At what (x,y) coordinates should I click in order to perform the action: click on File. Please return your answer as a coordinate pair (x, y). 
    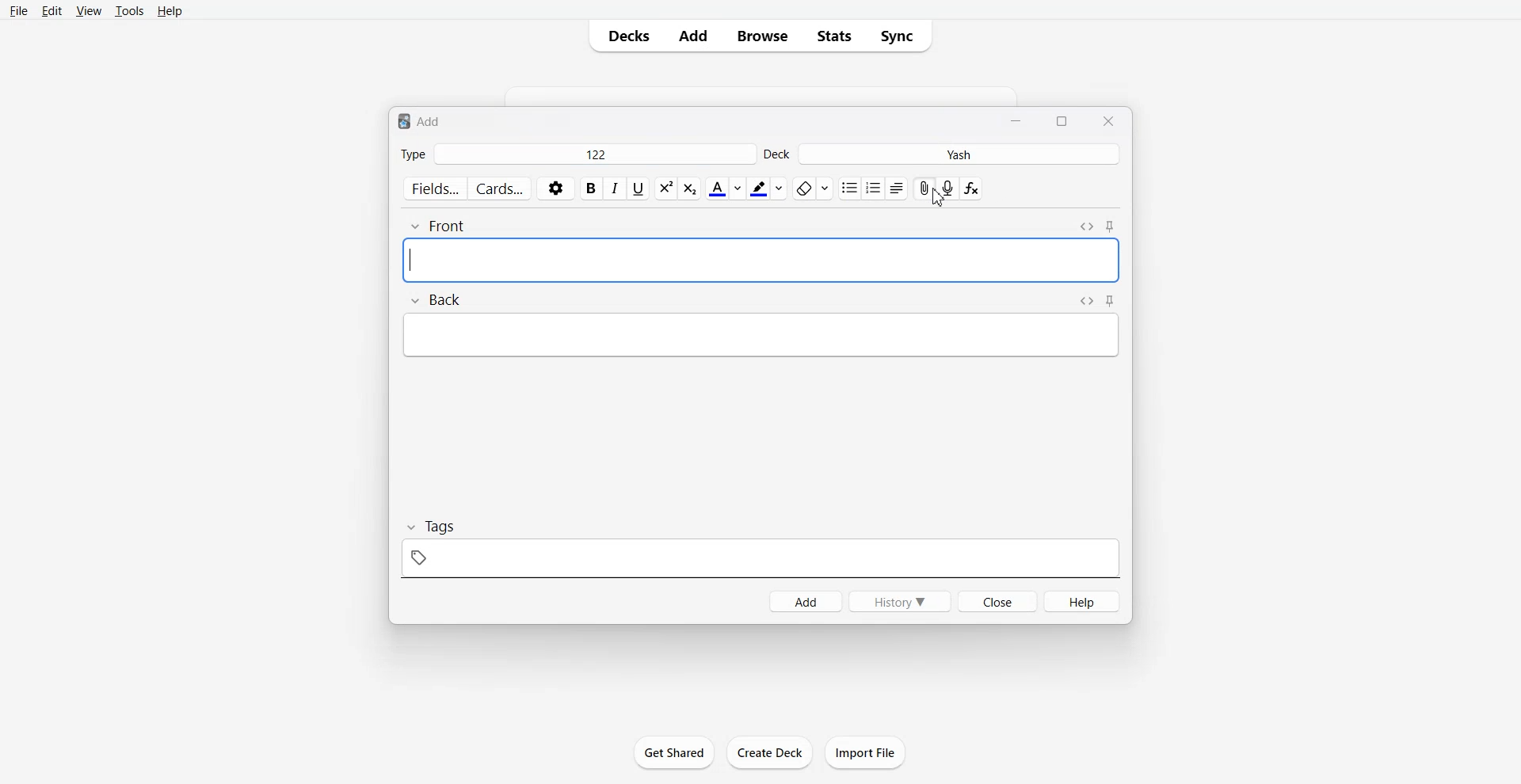
    Looking at the image, I should click on (19, 11).